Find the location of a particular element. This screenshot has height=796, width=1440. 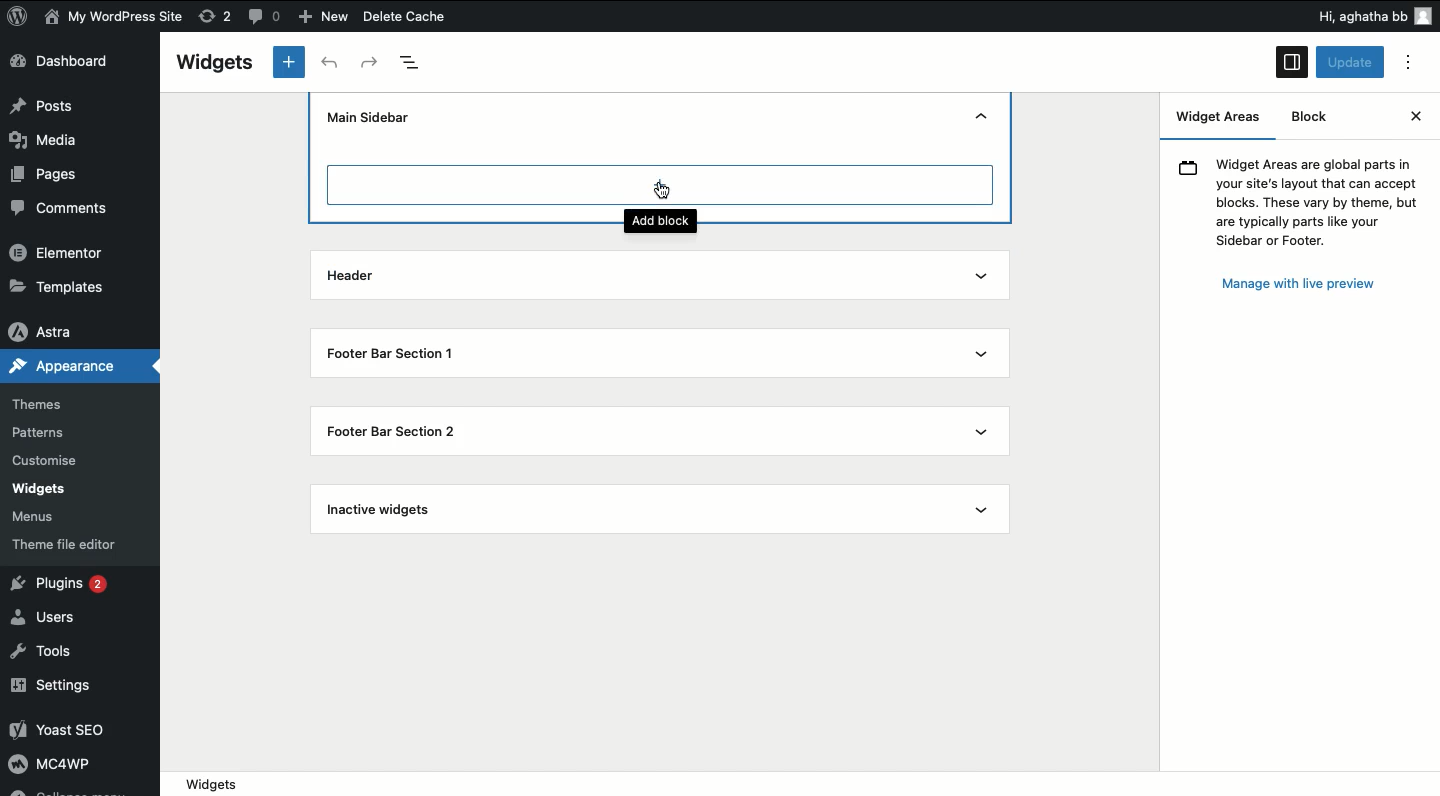

 Yoast SEO  is located at coordinates (72, 726).